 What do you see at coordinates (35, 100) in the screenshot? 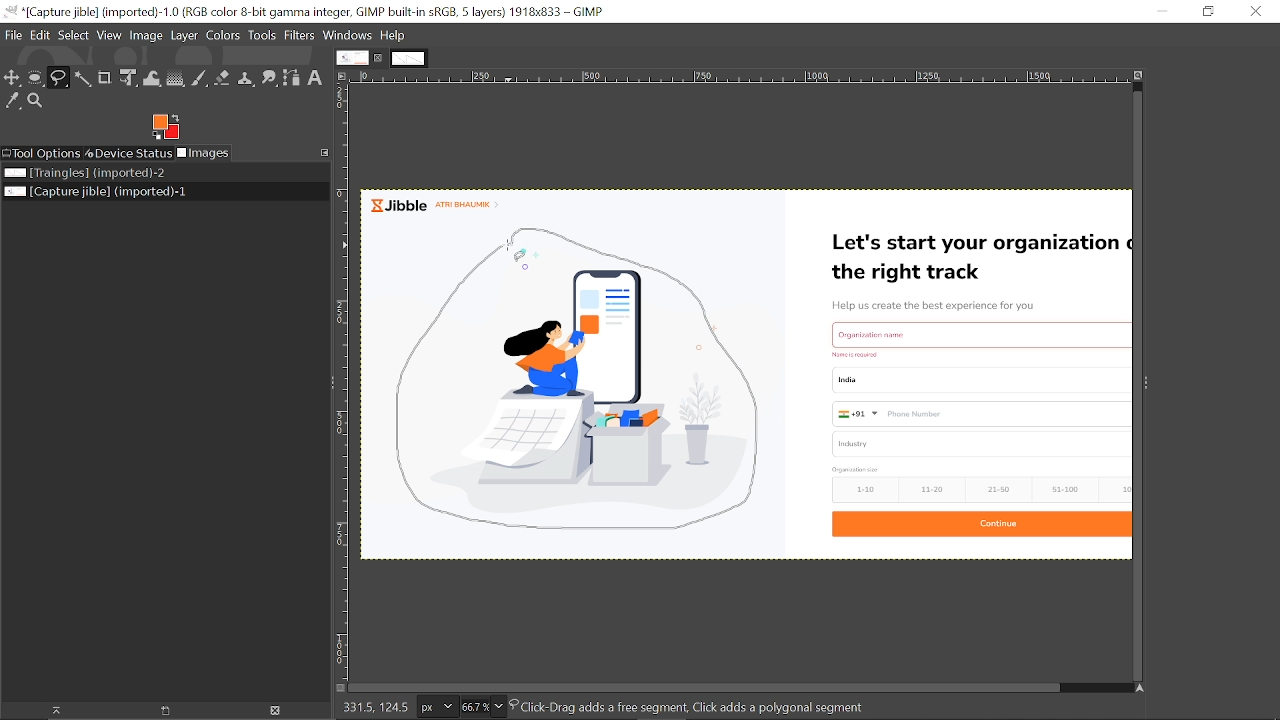
I see `Zoom tool` at bounding box center [35, 100].